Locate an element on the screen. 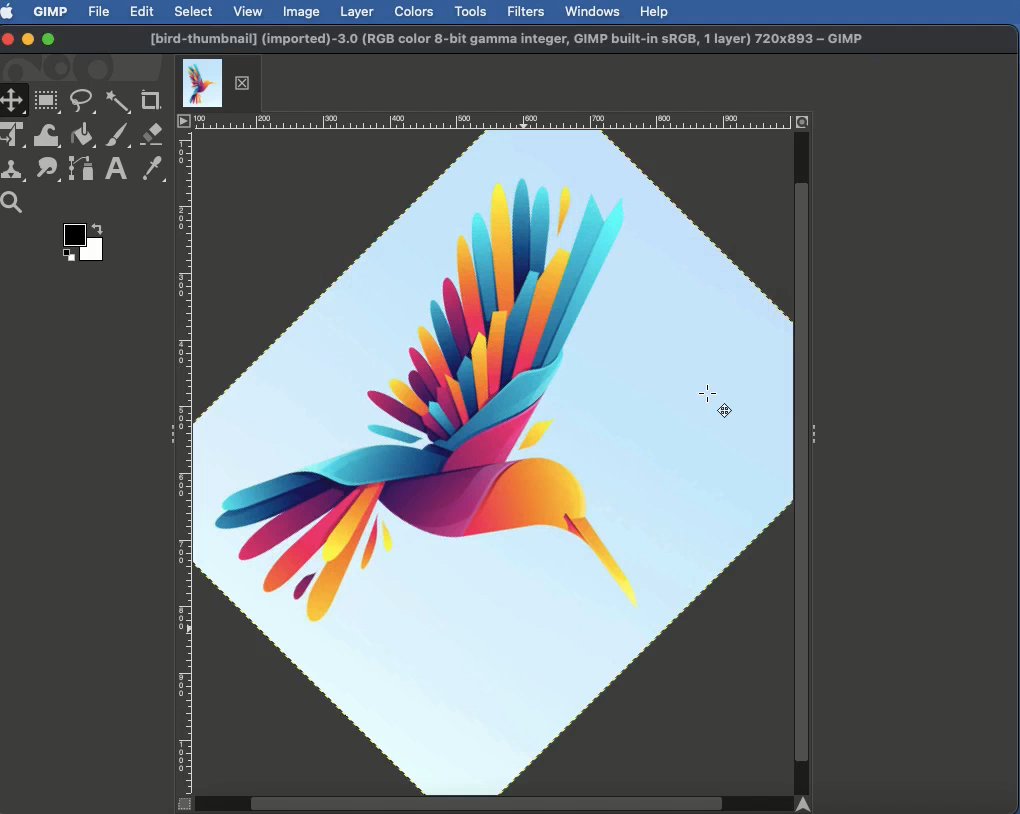  Access the image menu is located at coordinates (184, 122).